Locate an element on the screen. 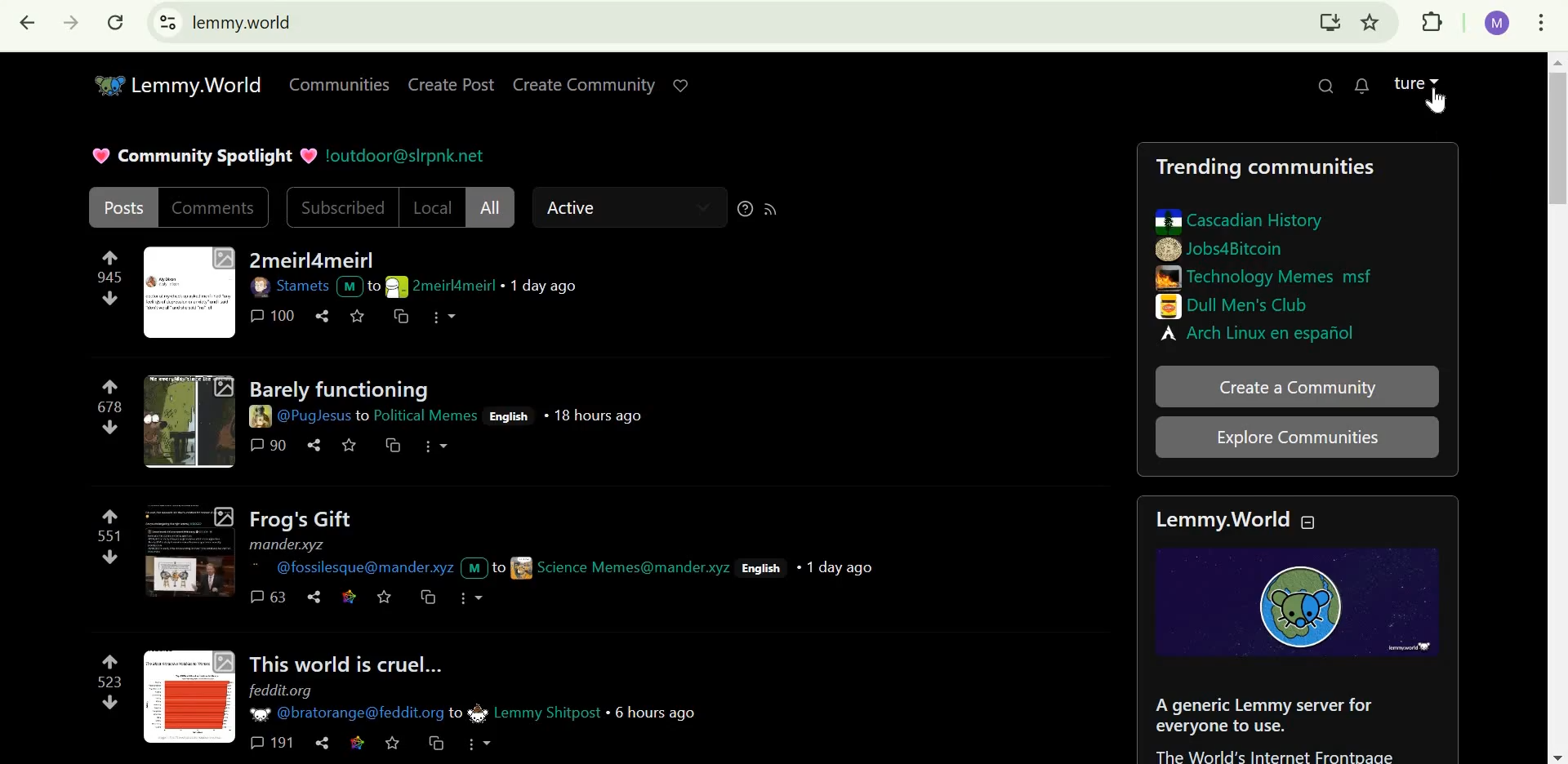  this world is cruel... is located at coordinates (345, 661).